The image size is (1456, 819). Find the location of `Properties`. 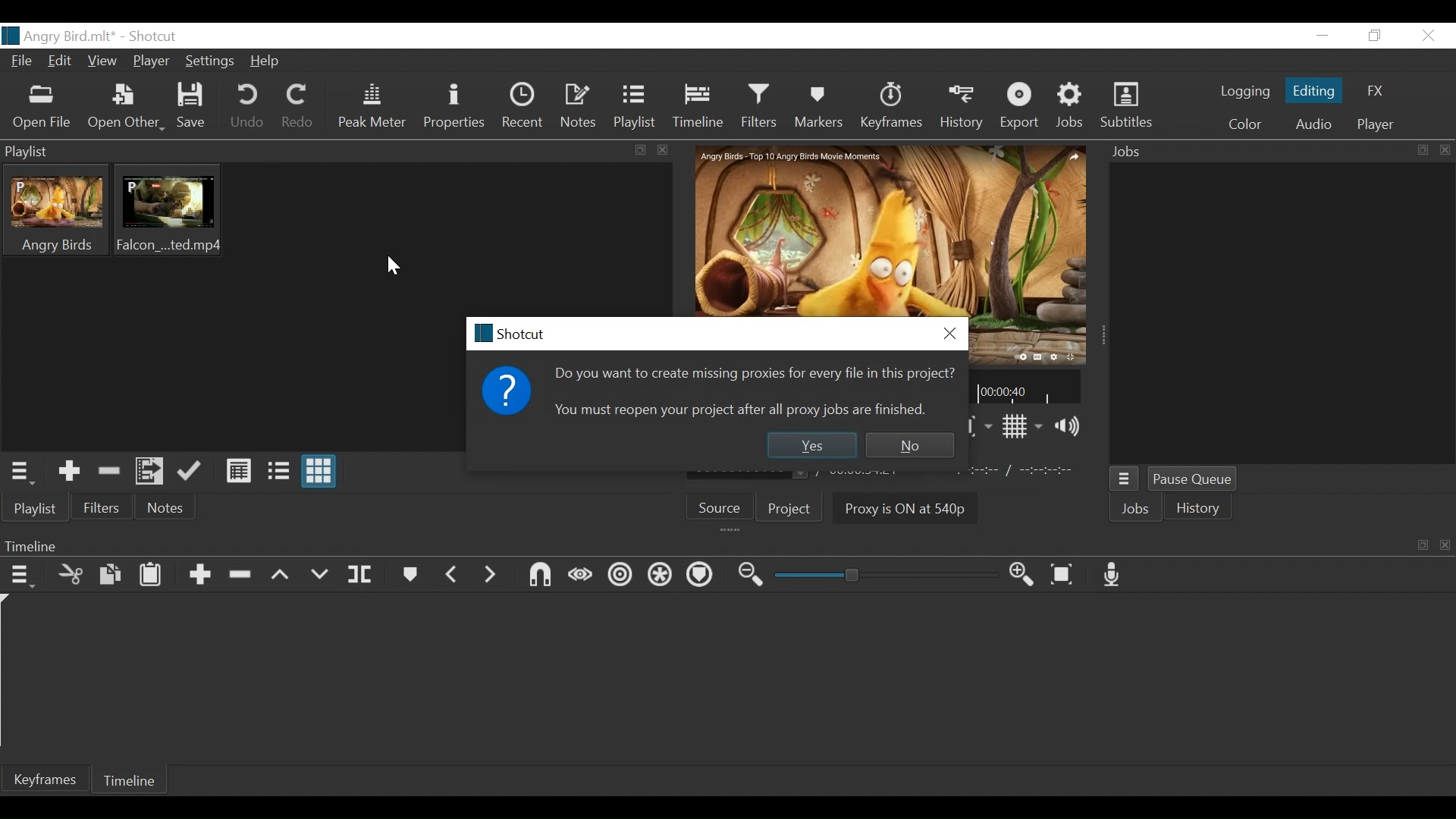

Properties is located at coordinates (457, 107).